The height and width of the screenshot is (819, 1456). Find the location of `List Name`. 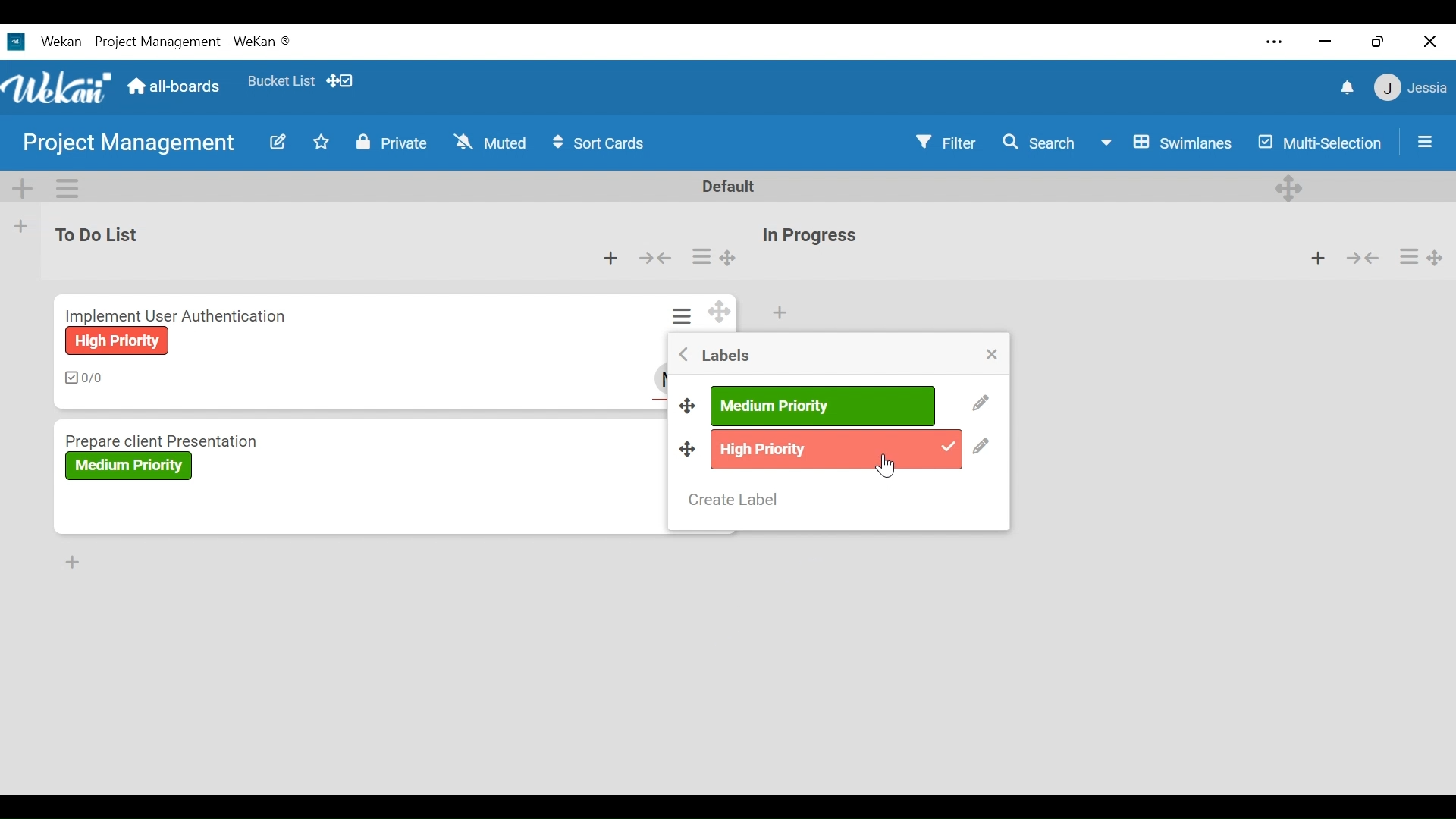

List Name is located at coordinates (95, 233).